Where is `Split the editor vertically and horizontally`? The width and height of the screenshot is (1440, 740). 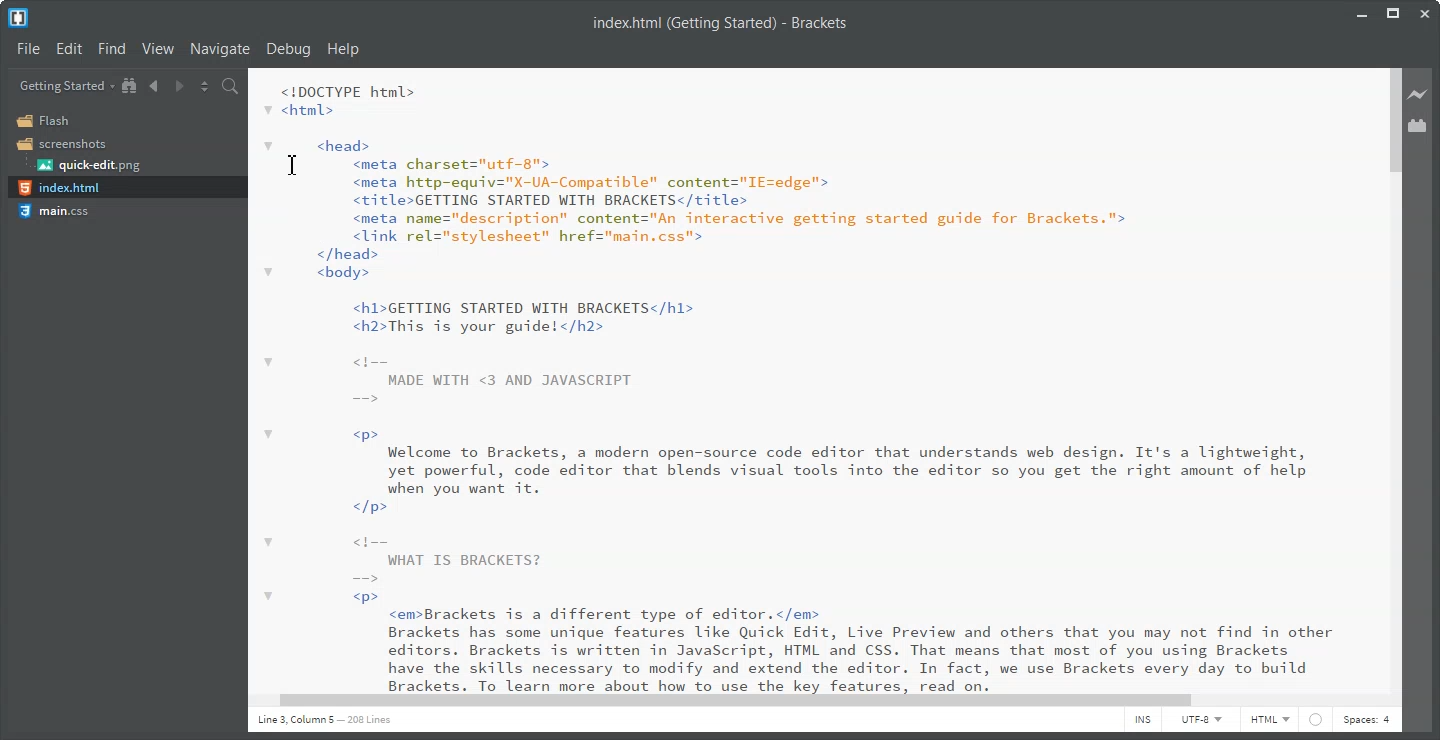 Split the editor vertically and horizontally is located at coordinates (205, 86).